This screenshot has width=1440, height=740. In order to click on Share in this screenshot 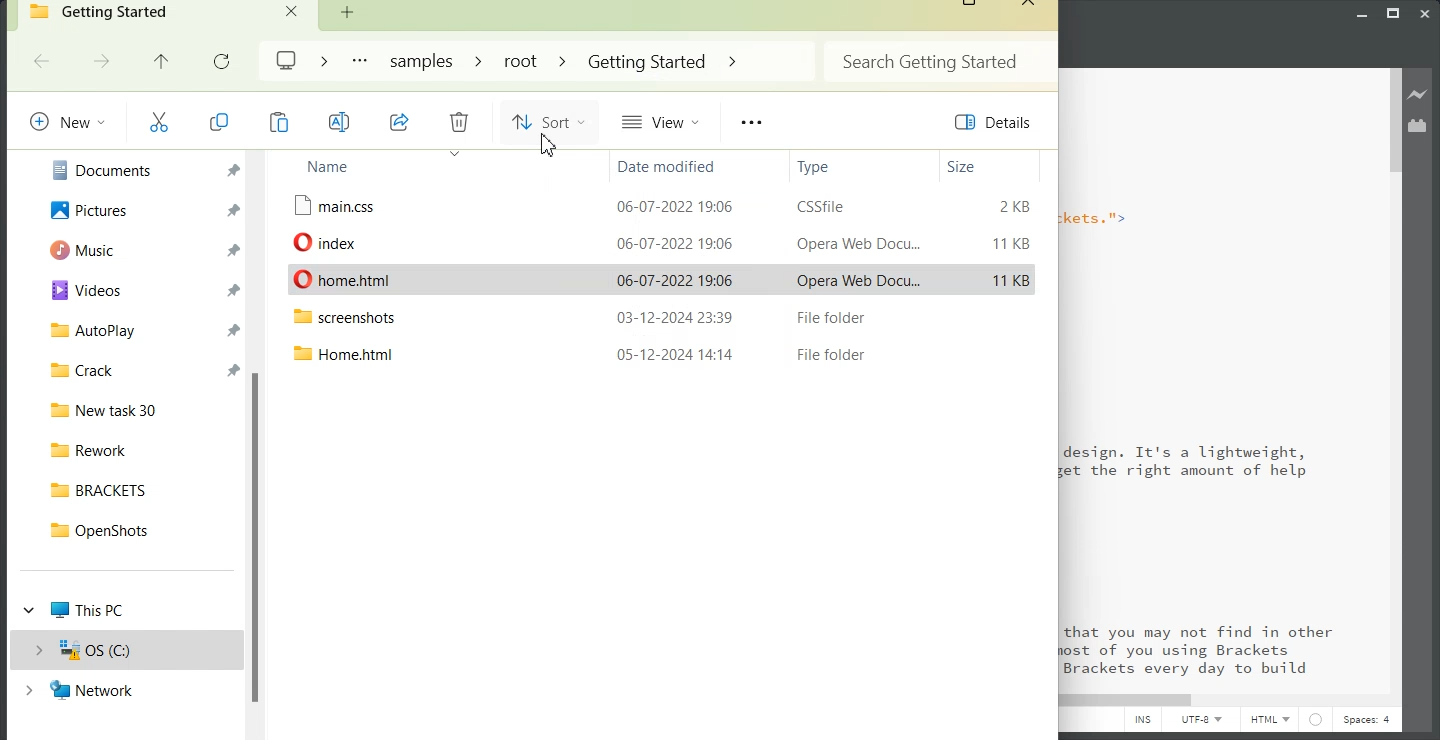, I will do `click(400, 122)`.